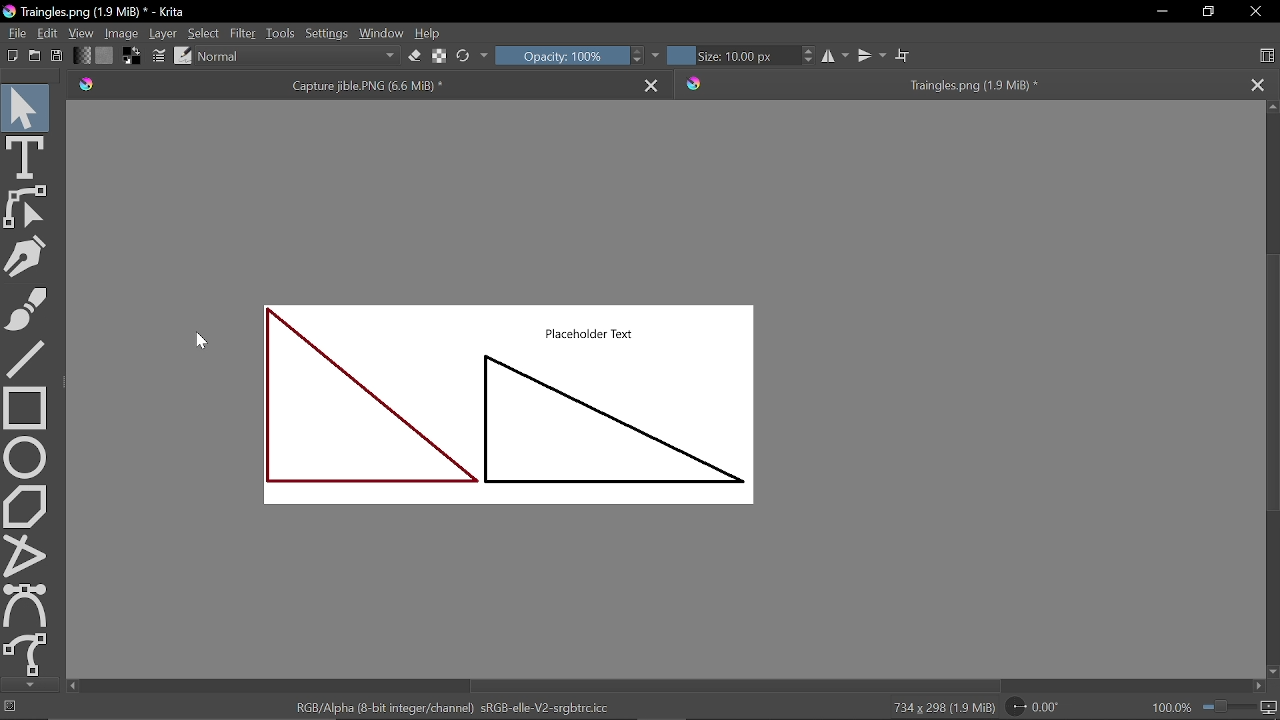  I want to click on New document, so click(10, 56).